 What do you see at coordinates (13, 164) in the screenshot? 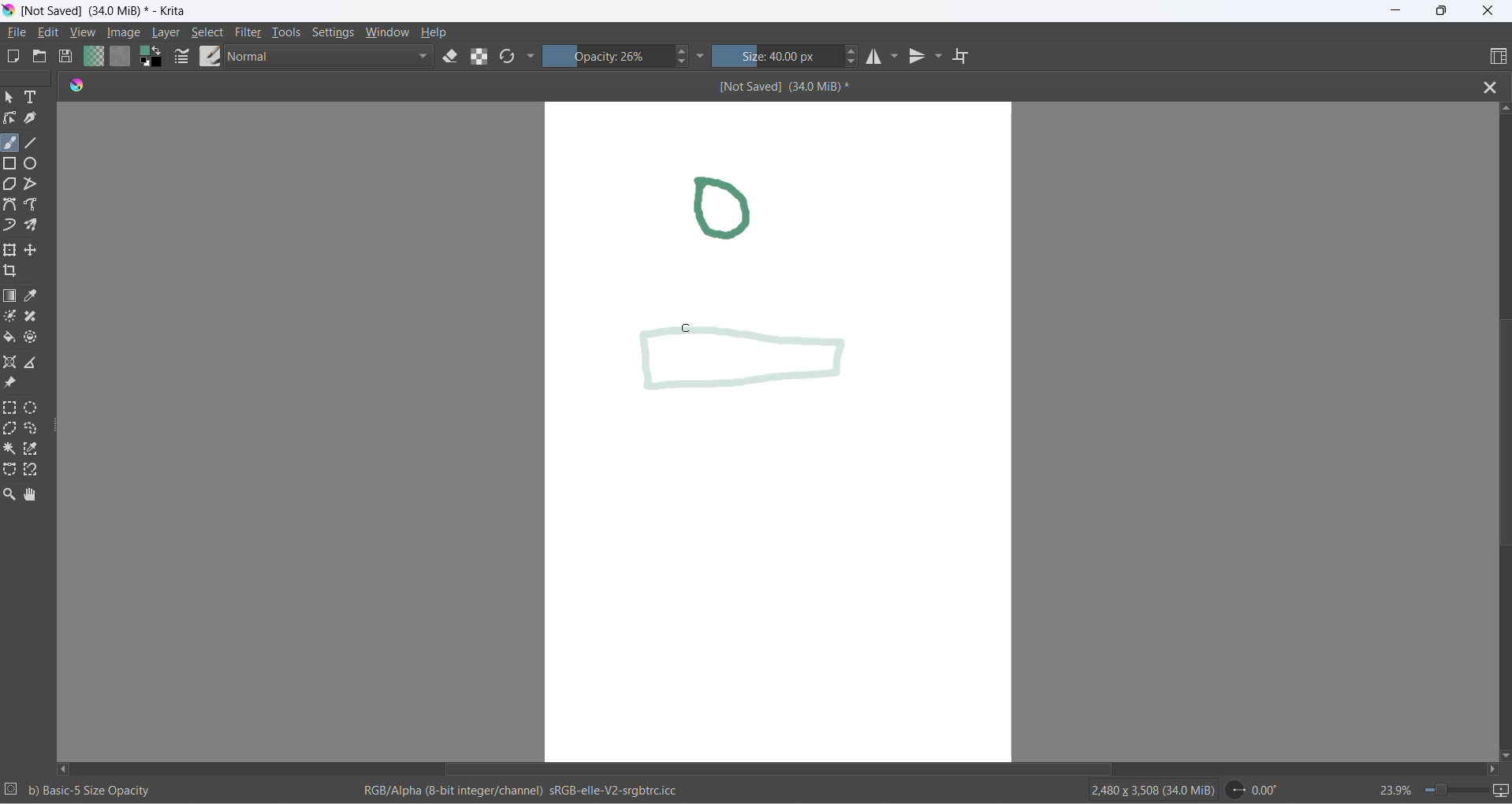
I see `rectangle tool` at bounding box center [13, 164].